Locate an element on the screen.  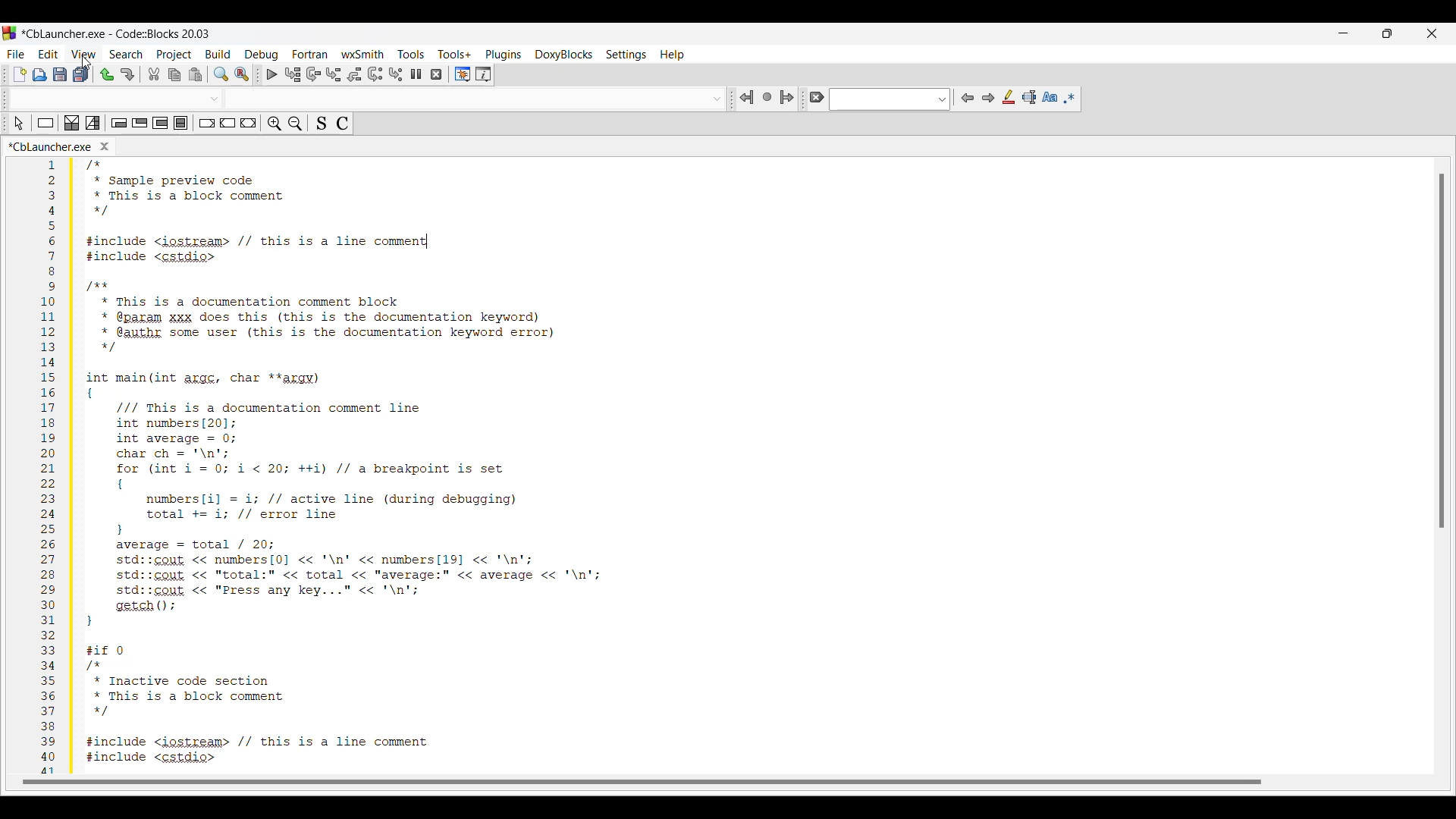
Fortran menu is located at coordinates (311, 54).